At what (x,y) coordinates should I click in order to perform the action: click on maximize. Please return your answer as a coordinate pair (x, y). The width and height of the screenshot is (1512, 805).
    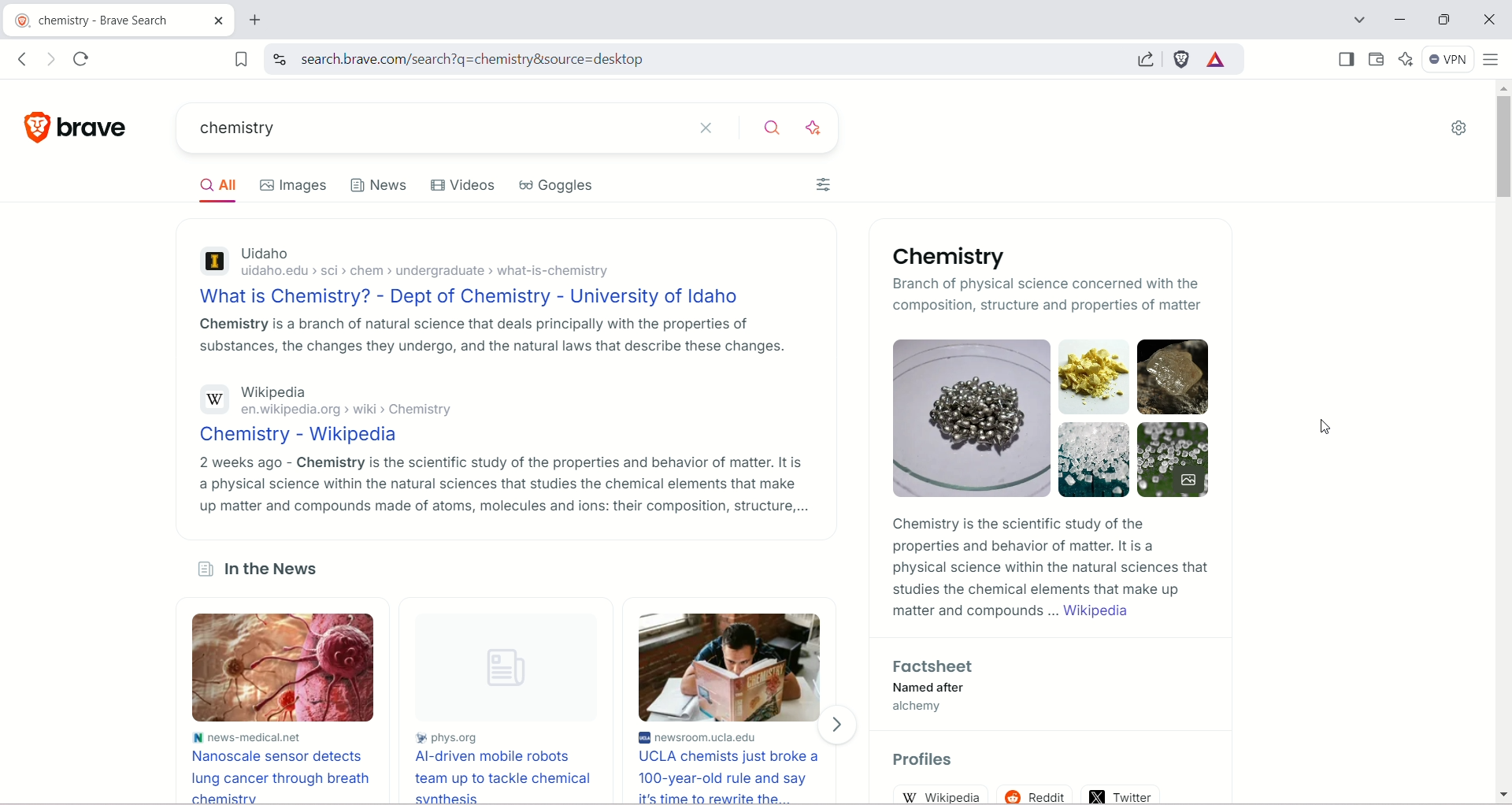
    Looking at the image, I should click on (1447, 18).